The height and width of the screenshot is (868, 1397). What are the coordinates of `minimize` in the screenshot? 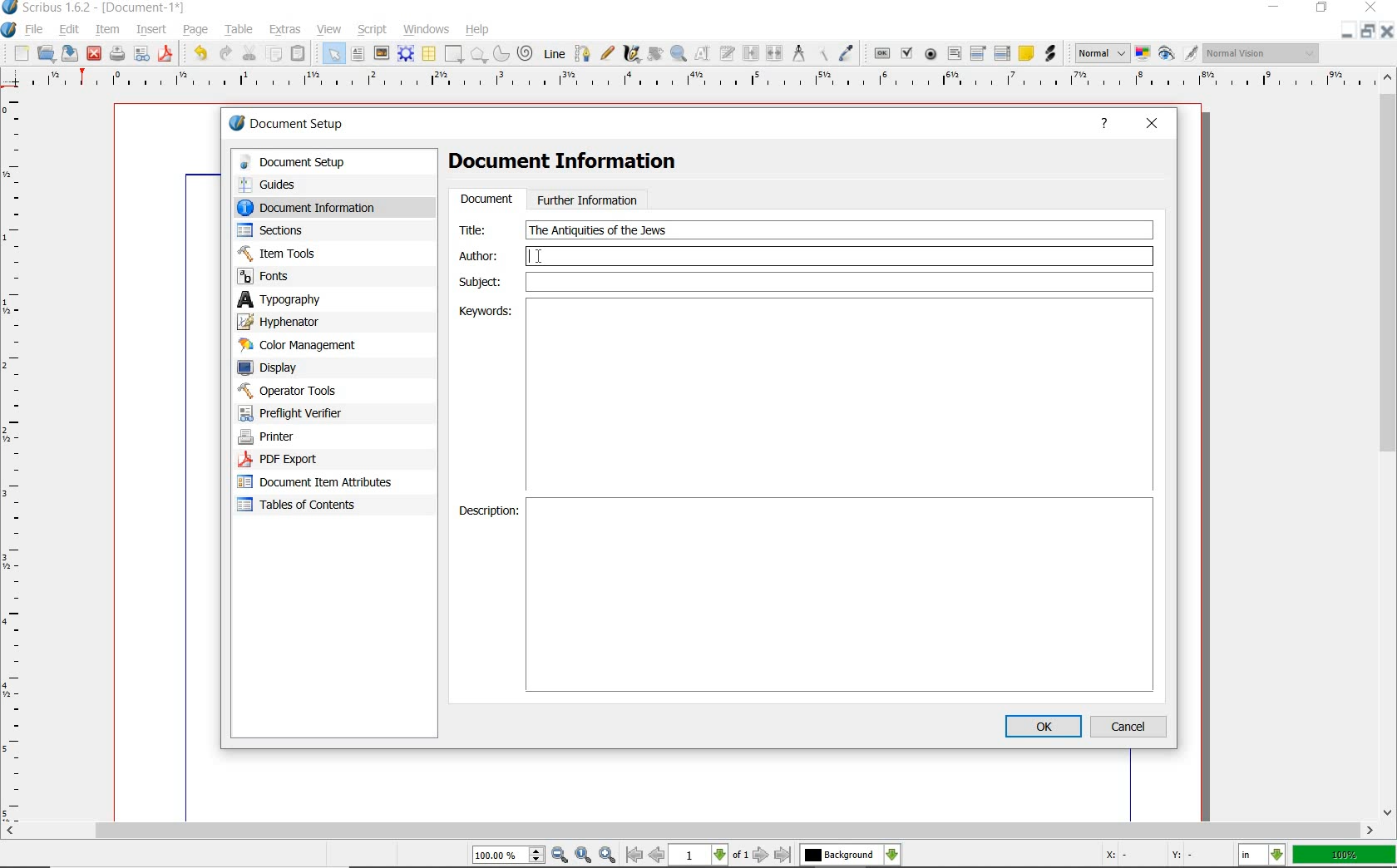 It's located at (1349, 30).